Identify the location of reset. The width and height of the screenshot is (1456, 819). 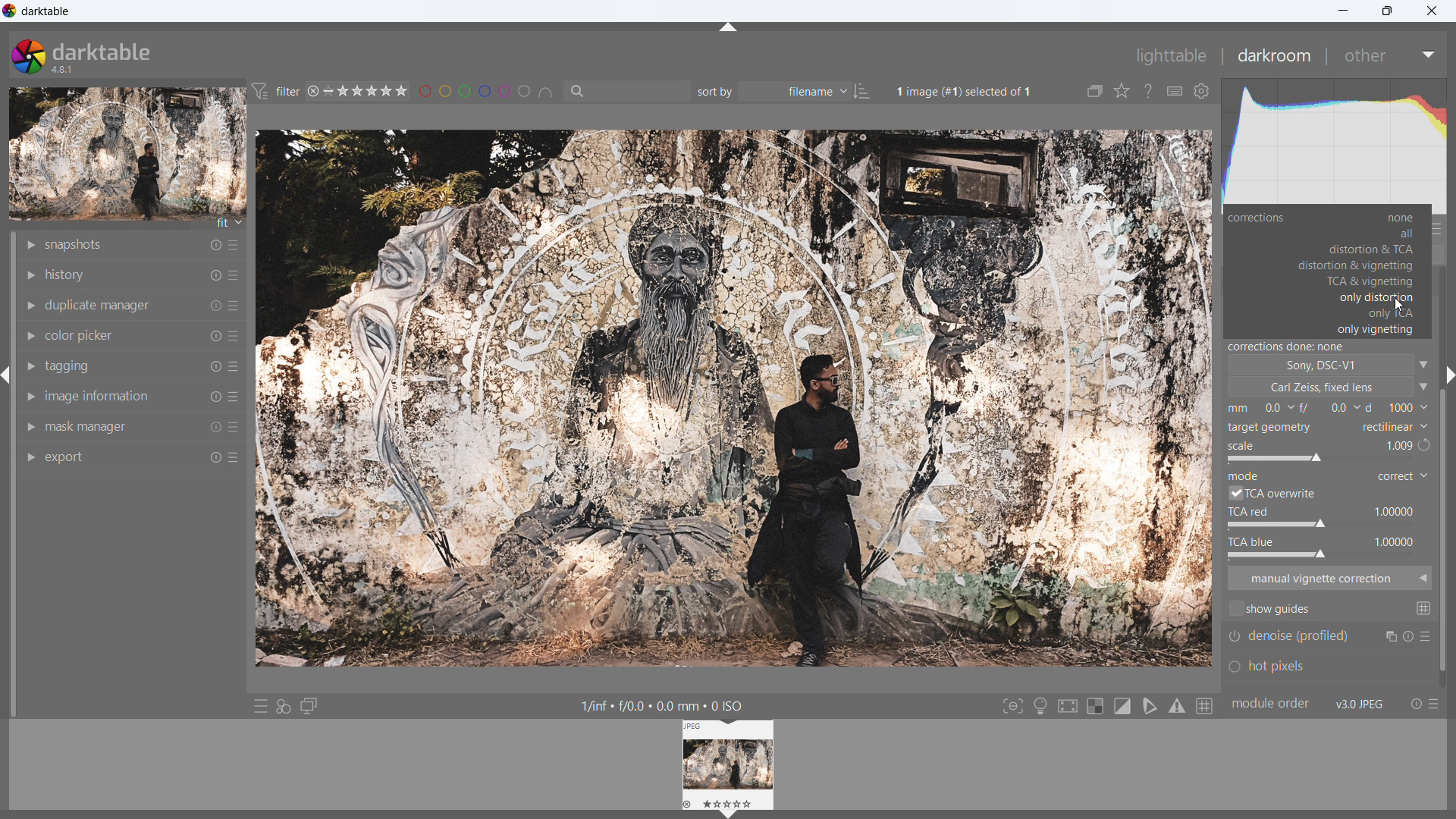
(215, 454).